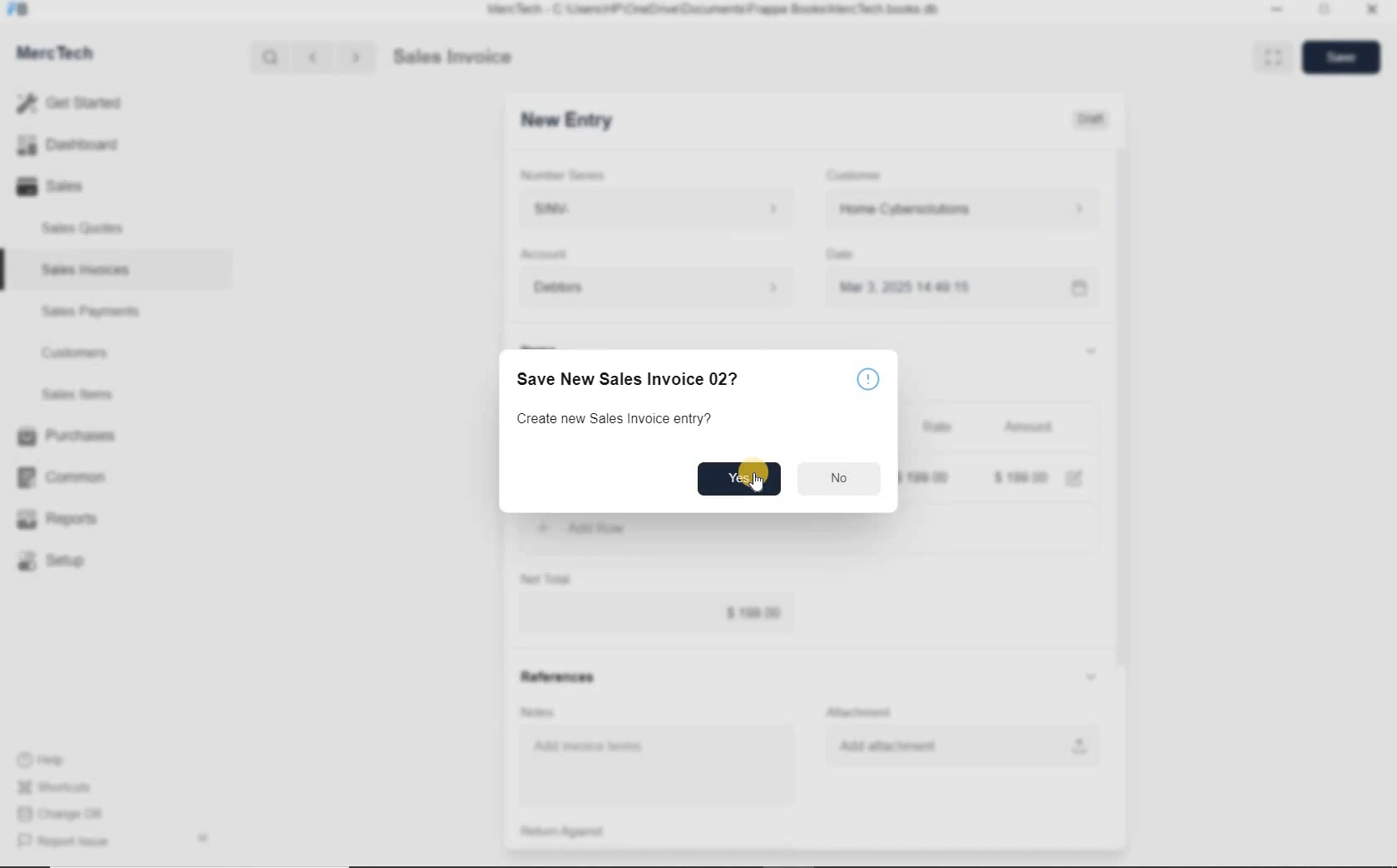 This screenshot has width=1397, height=868. I want to click on Number Series, so click(568, 175).